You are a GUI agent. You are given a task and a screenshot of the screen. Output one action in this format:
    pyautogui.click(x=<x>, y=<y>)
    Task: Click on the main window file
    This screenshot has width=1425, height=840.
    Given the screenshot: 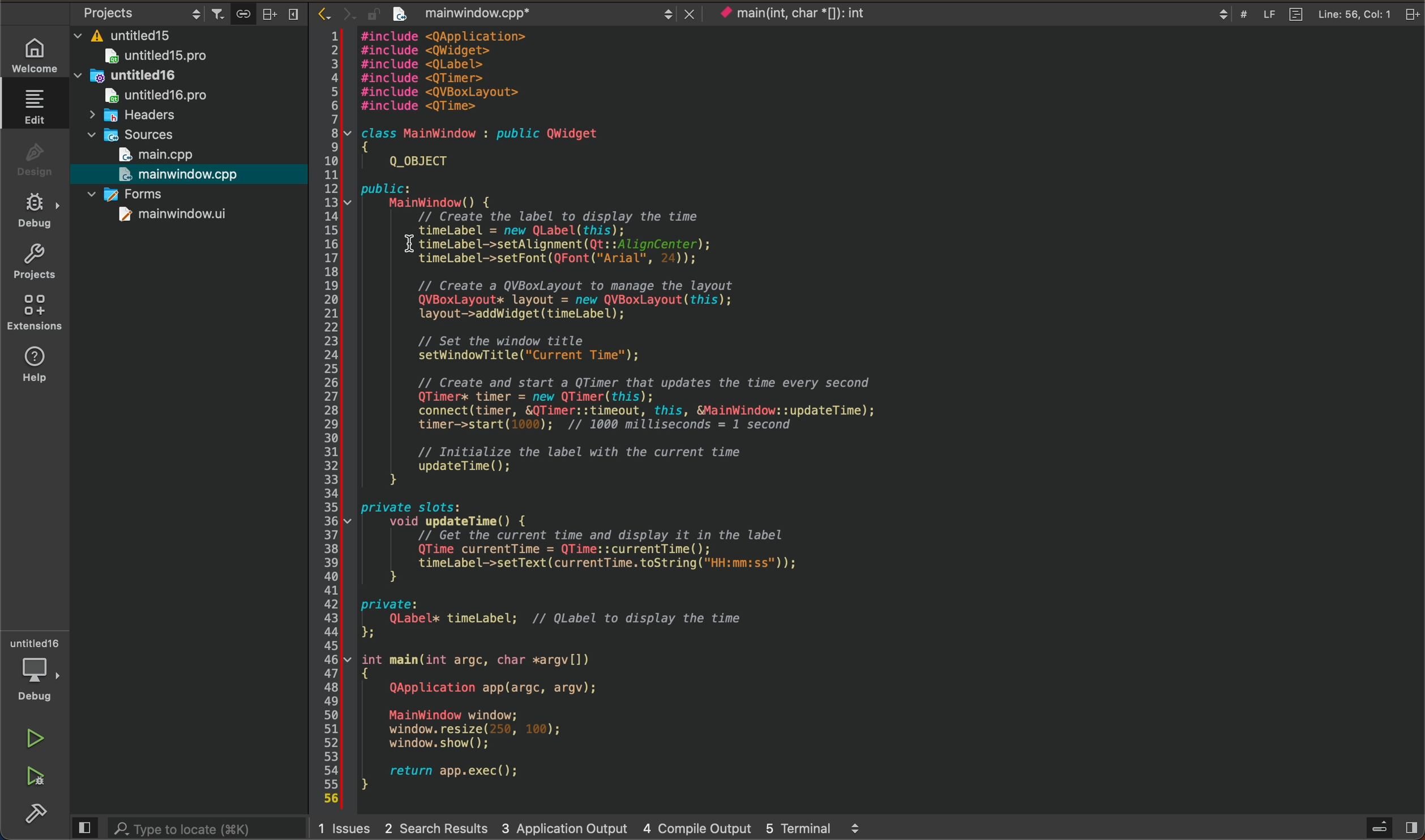 What is the action you would take?
    pyautogui.click(x=184, y=175)
    